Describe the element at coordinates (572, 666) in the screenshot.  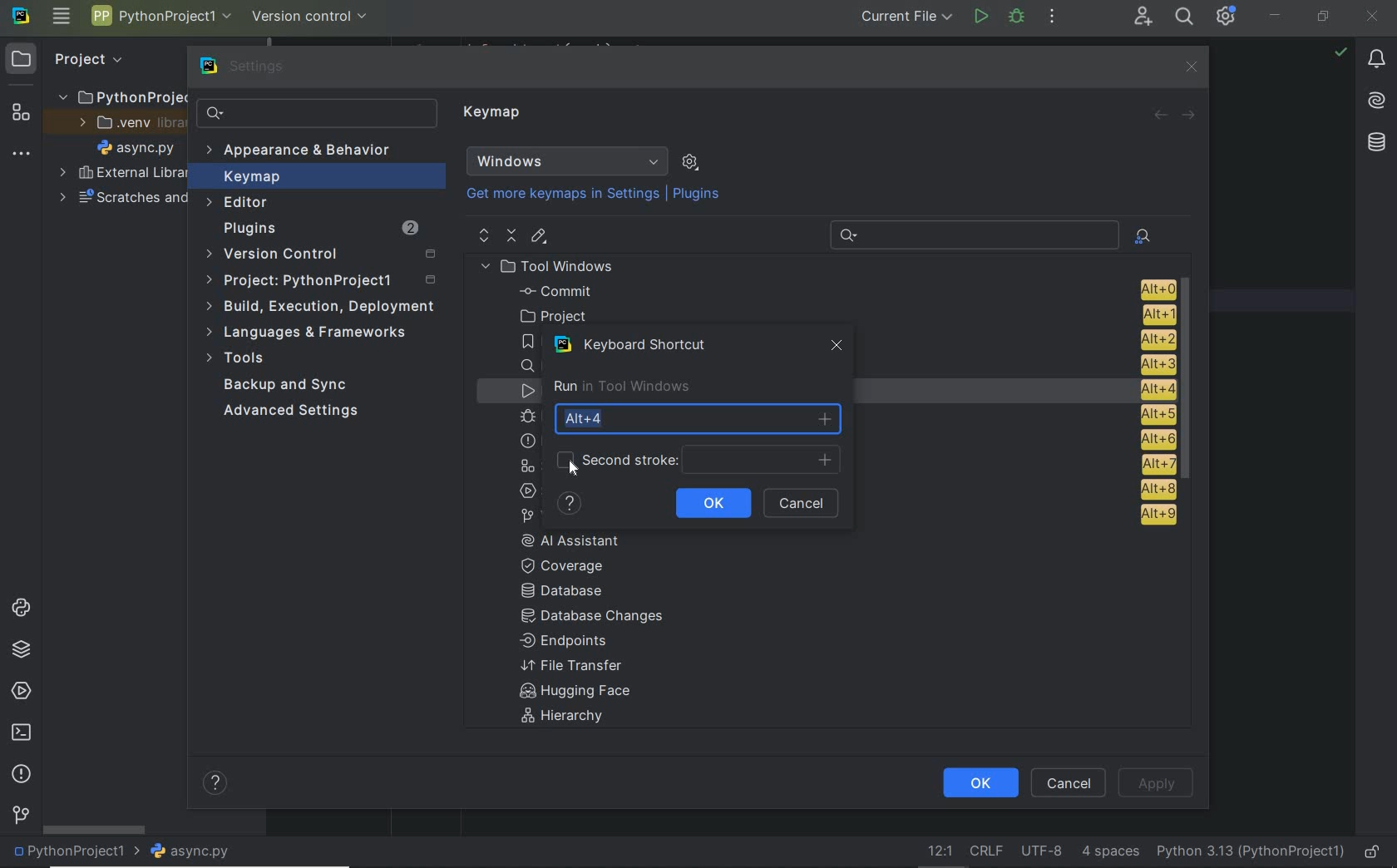
I see `File Transfer` at that location.